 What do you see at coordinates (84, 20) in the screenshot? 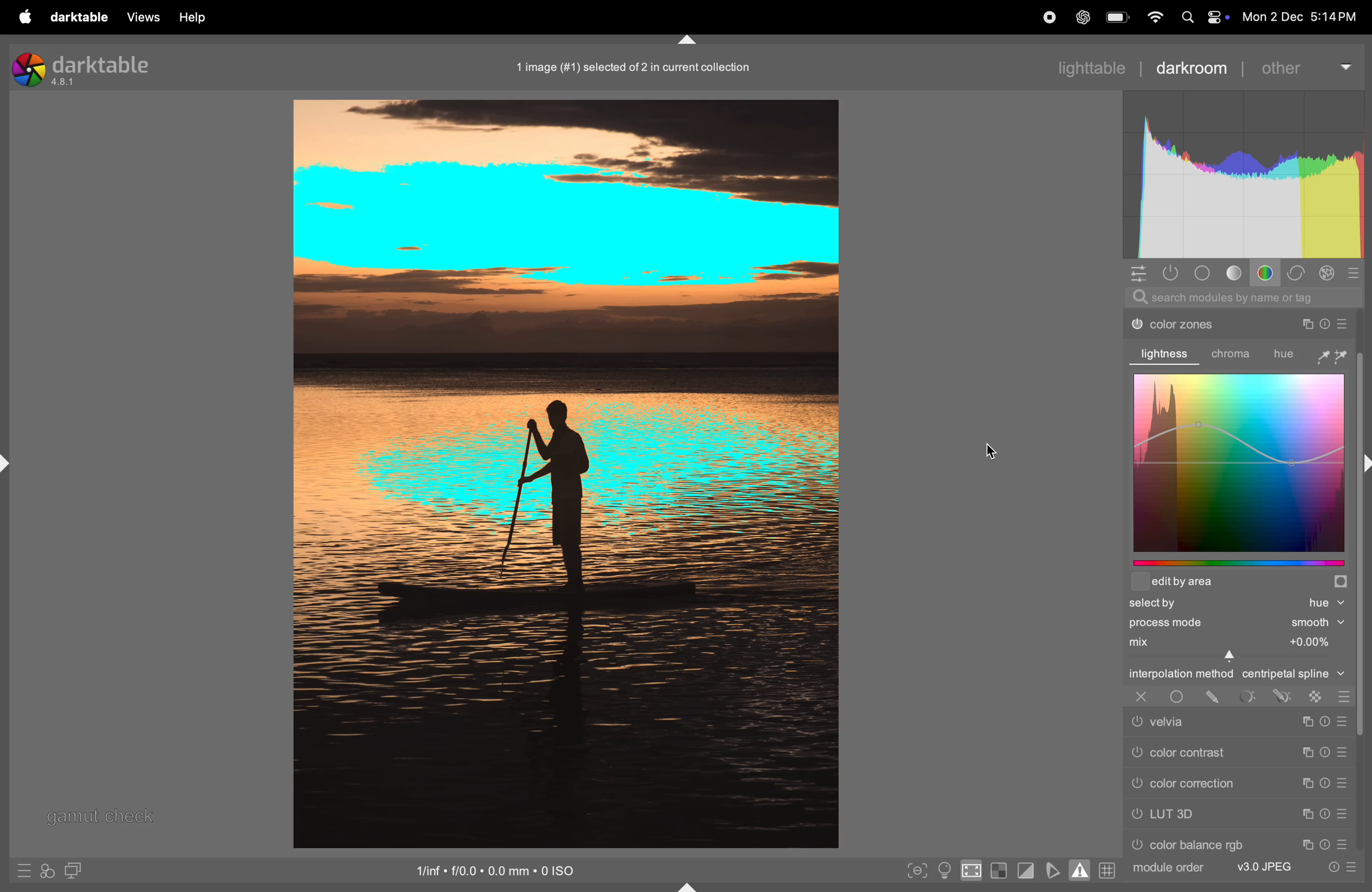
I see `darktable` at bounding box center [84, 20].